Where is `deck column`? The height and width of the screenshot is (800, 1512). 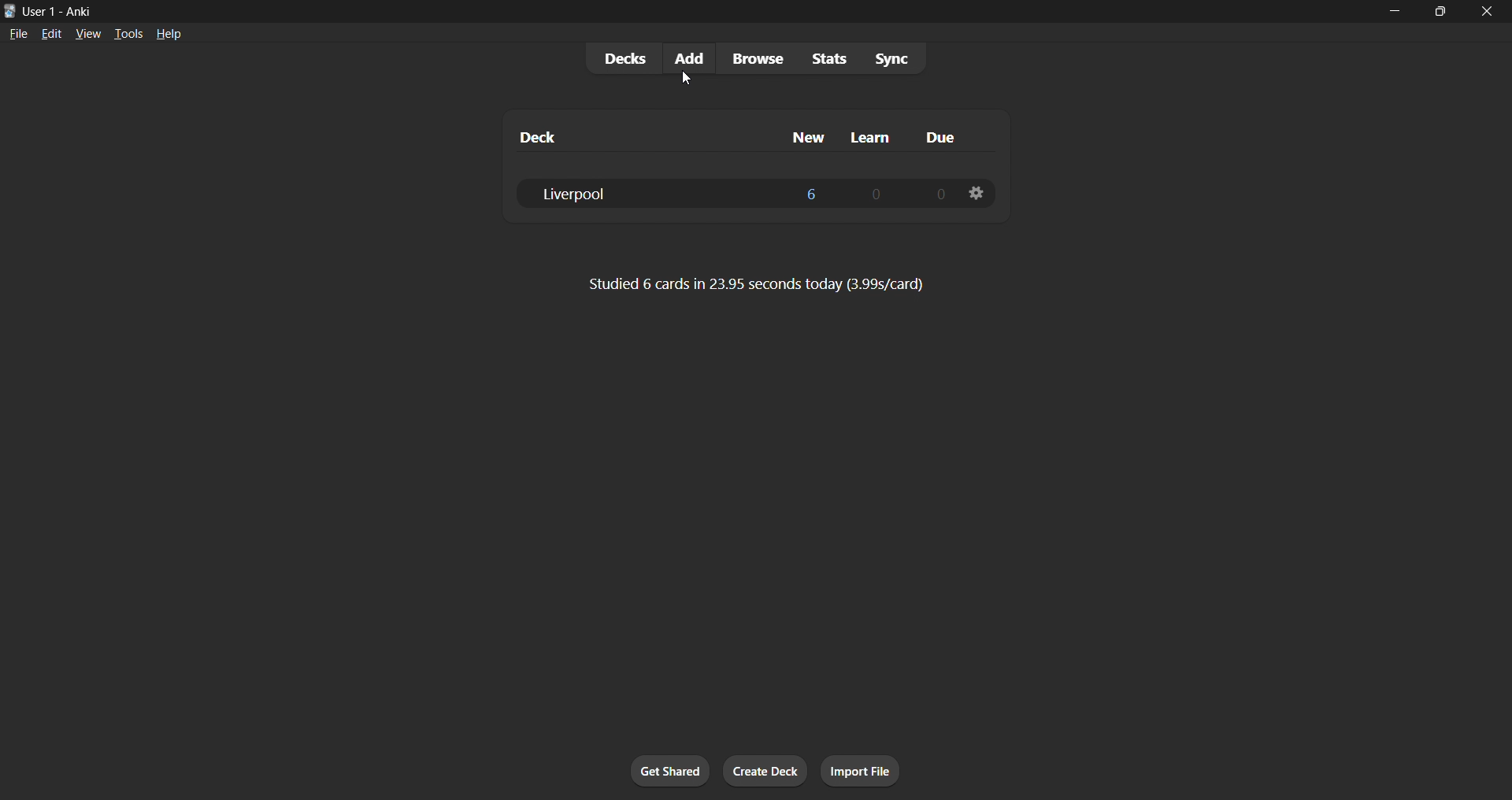
deck column is located at coordinates (540, 138).